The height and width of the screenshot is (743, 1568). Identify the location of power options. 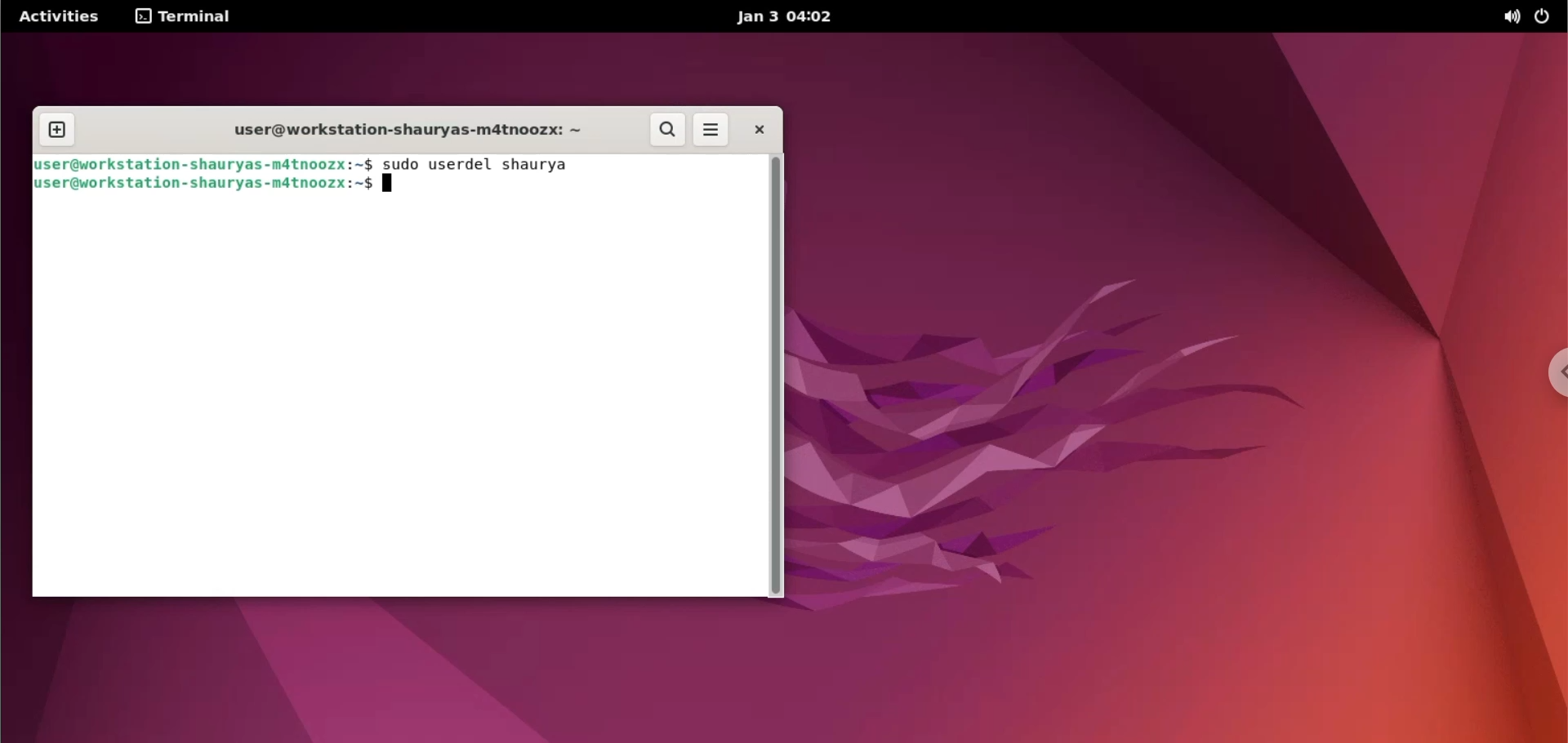
(1547, 17).